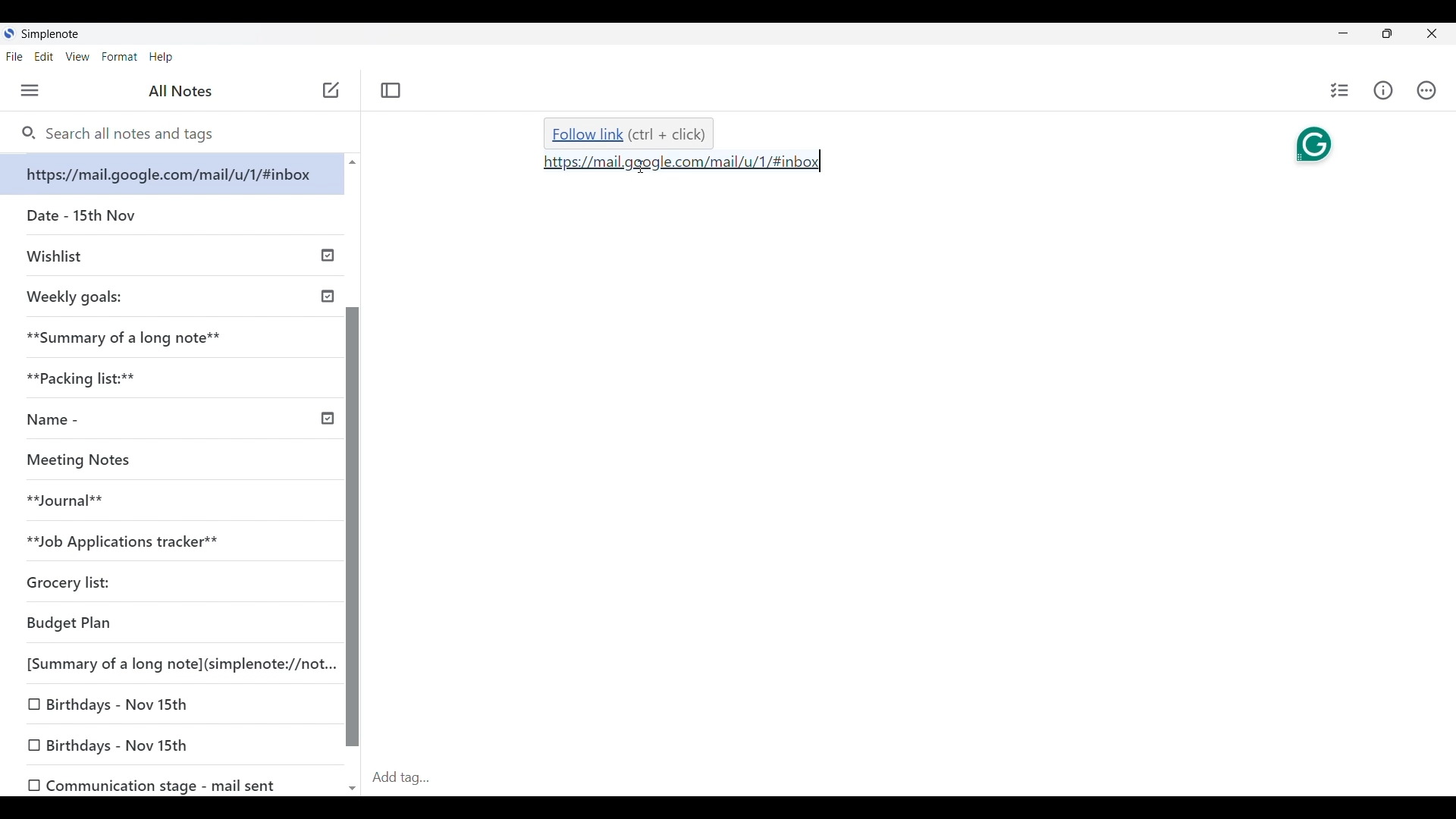 The image size is (1456, 819). Describe the element at coordinates (629, 134) in the screenshot. I see `Instructions to access added link` at that location.